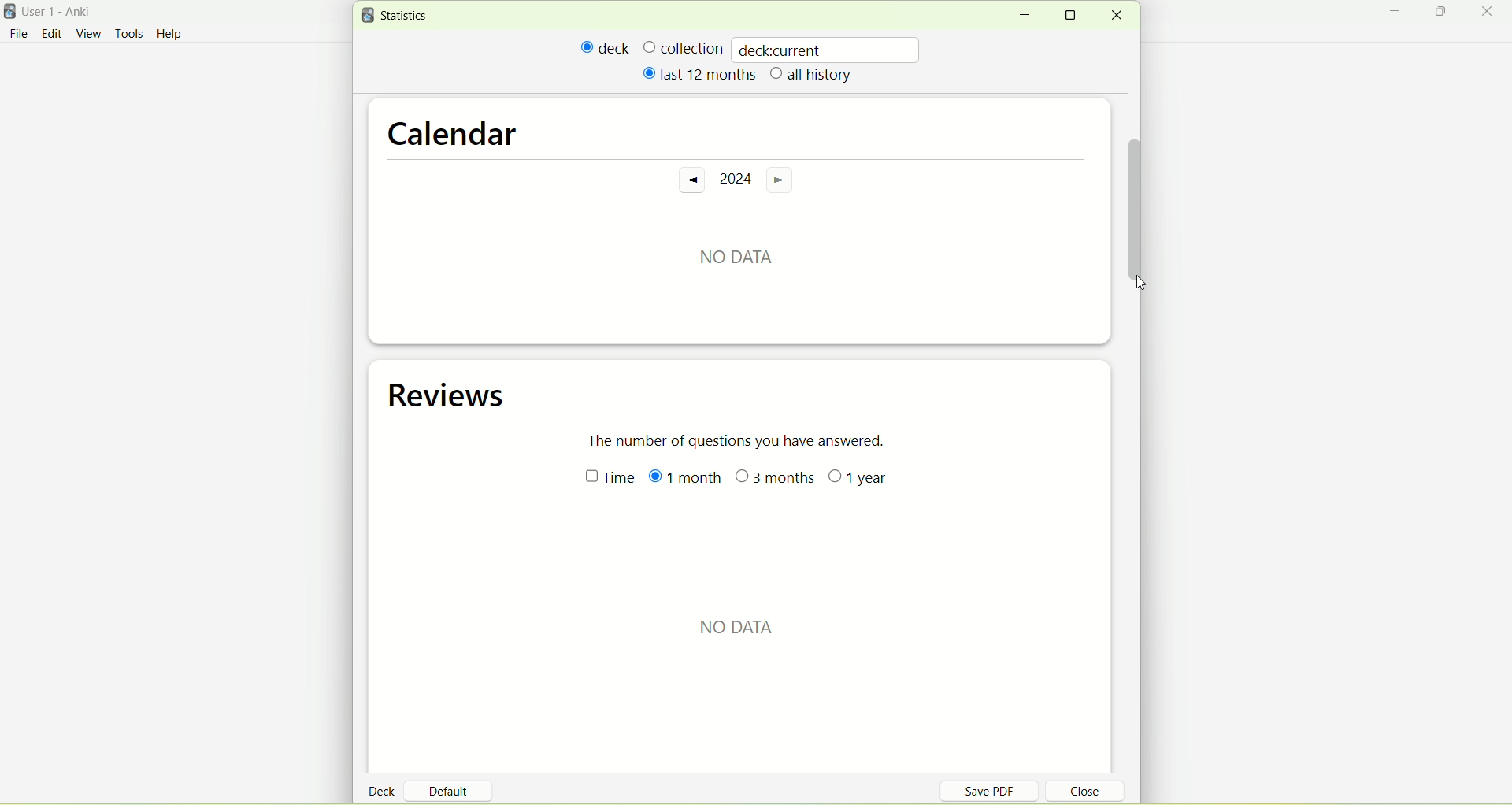  I want to click on vertical scroll bar, so click(1135, 199).